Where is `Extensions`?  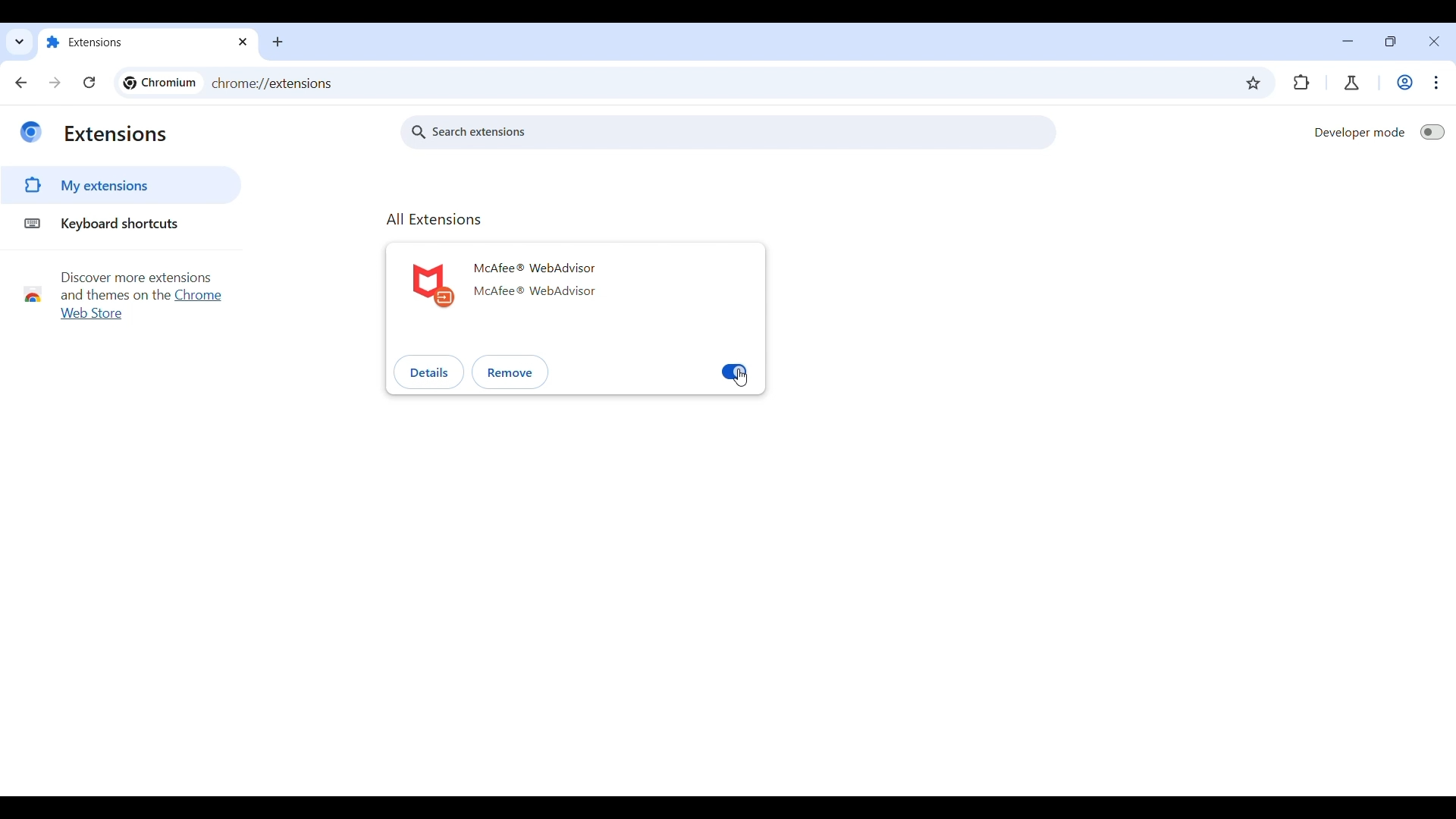
Extensions is located at coordinates (137, 43).